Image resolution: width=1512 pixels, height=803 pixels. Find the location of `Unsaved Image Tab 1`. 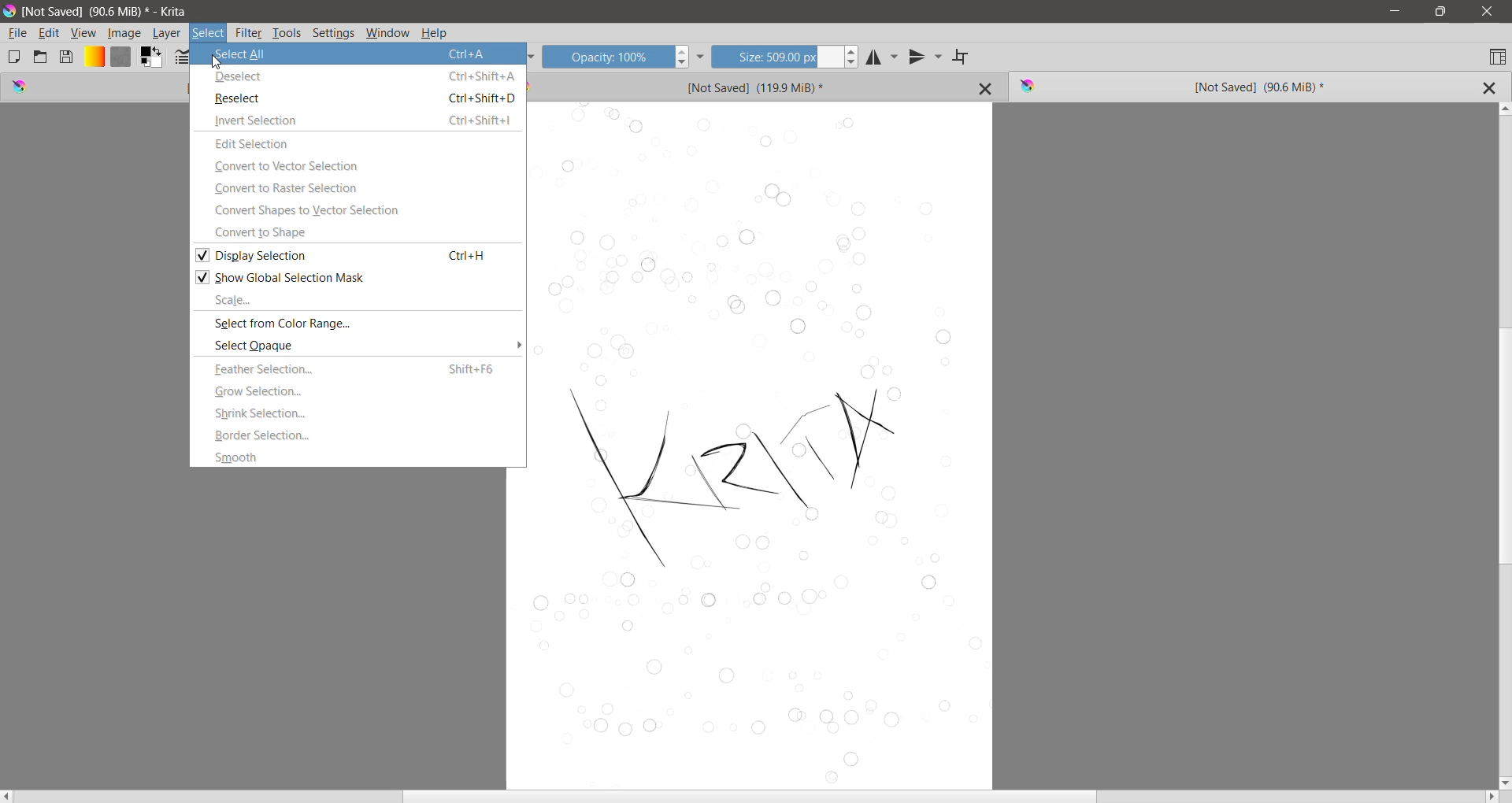

Unsaved Image Tab 1 is located at coordinates (97, 87).